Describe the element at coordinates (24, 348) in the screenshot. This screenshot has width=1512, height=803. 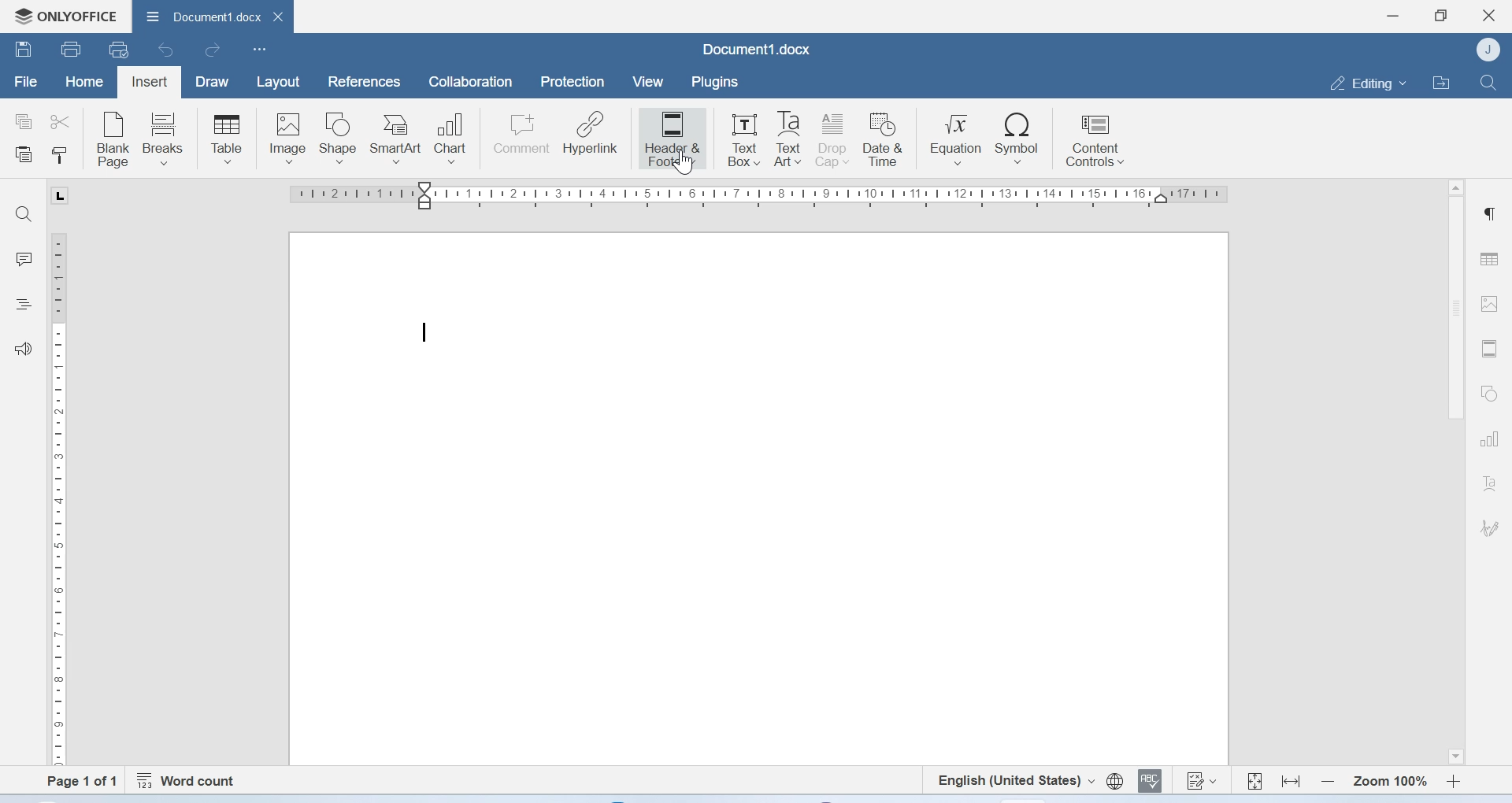
I see `Feedback and support` at that location.